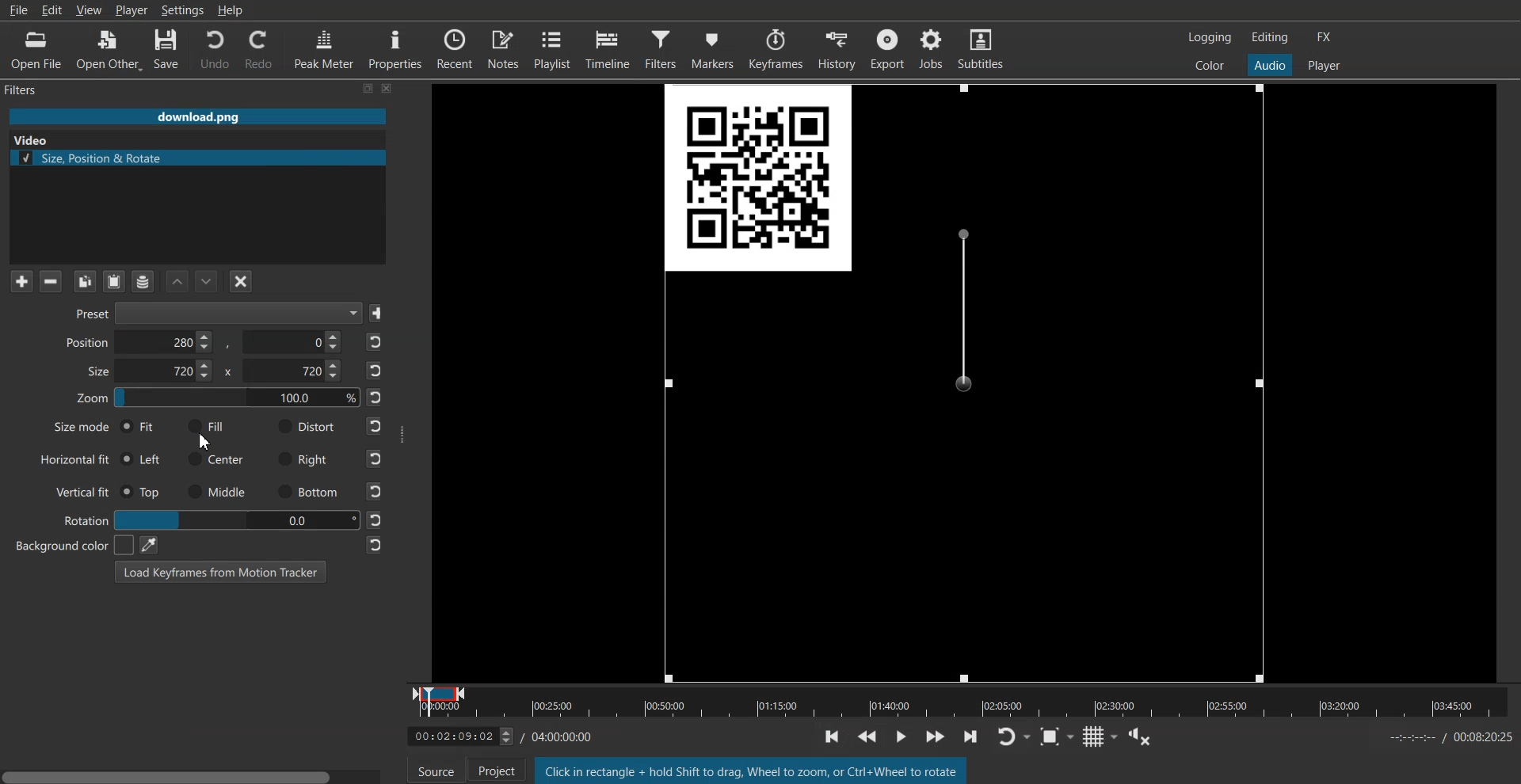 This screenshot has width=1521, height=784. I want to click on Switch to the logging layout, so click(1210, 38).